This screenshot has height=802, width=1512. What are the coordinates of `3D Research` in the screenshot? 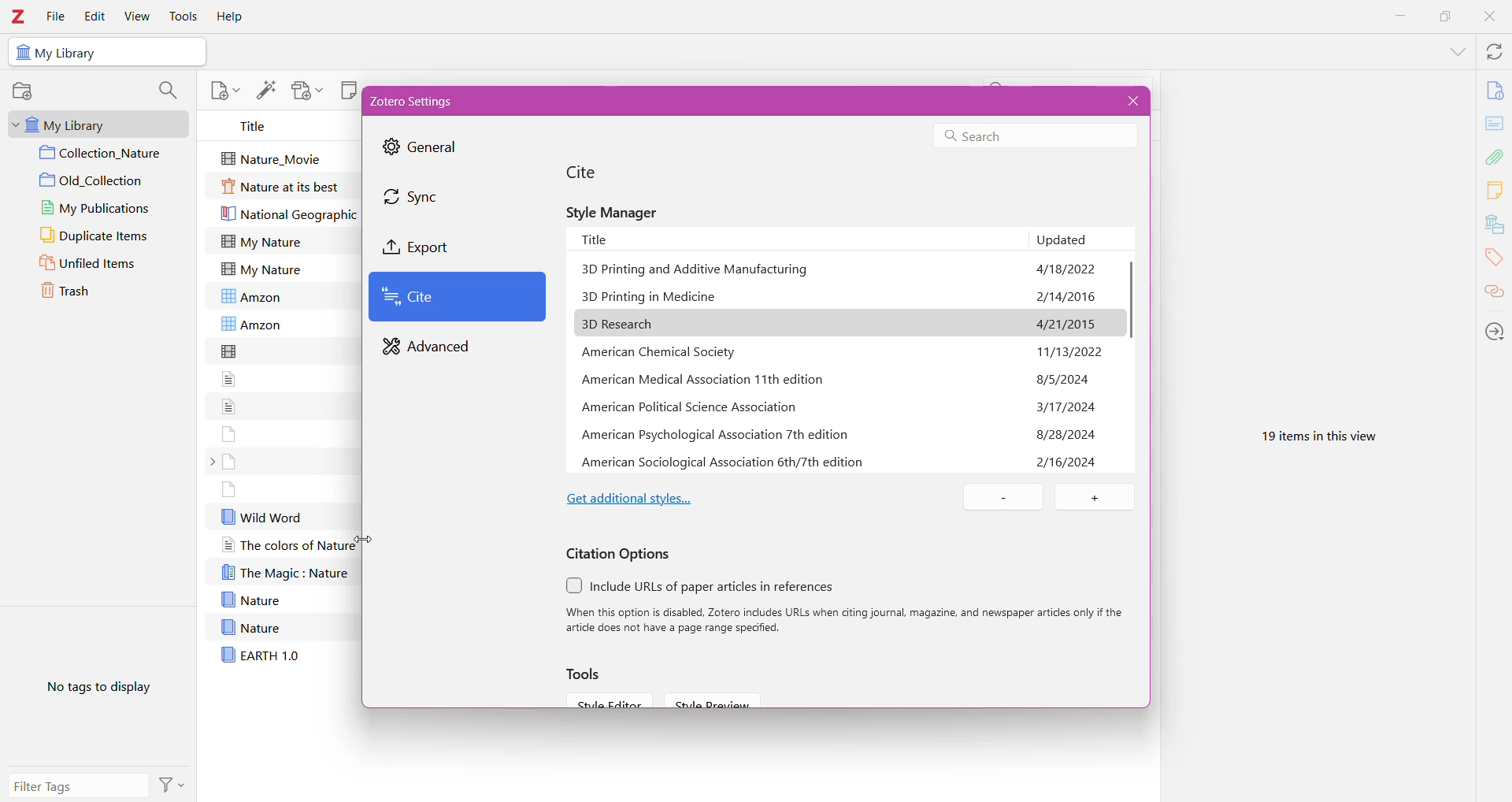 It's located at (626, 323).